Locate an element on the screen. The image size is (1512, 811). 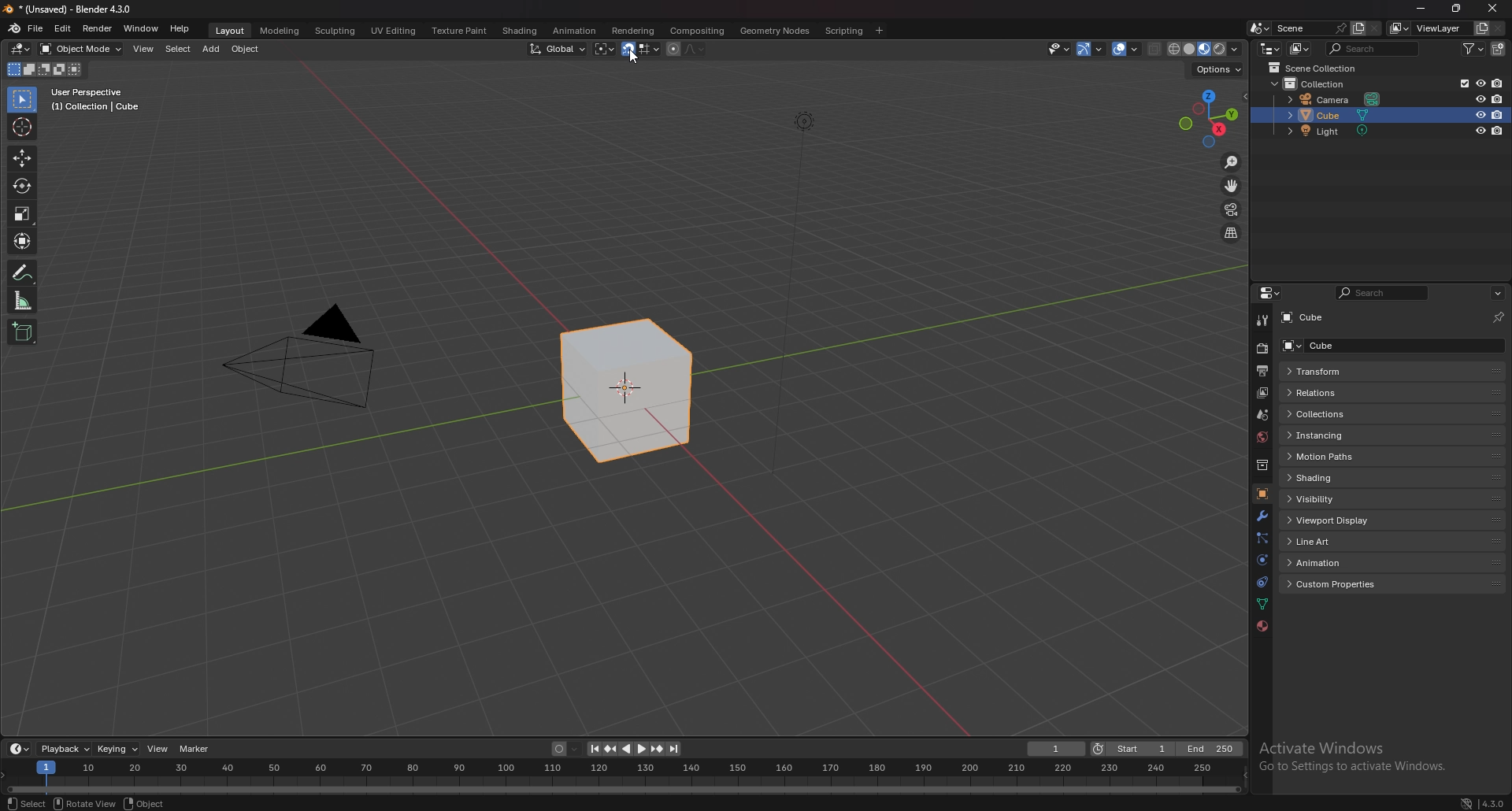
playback is located at coordinates (65, 748).